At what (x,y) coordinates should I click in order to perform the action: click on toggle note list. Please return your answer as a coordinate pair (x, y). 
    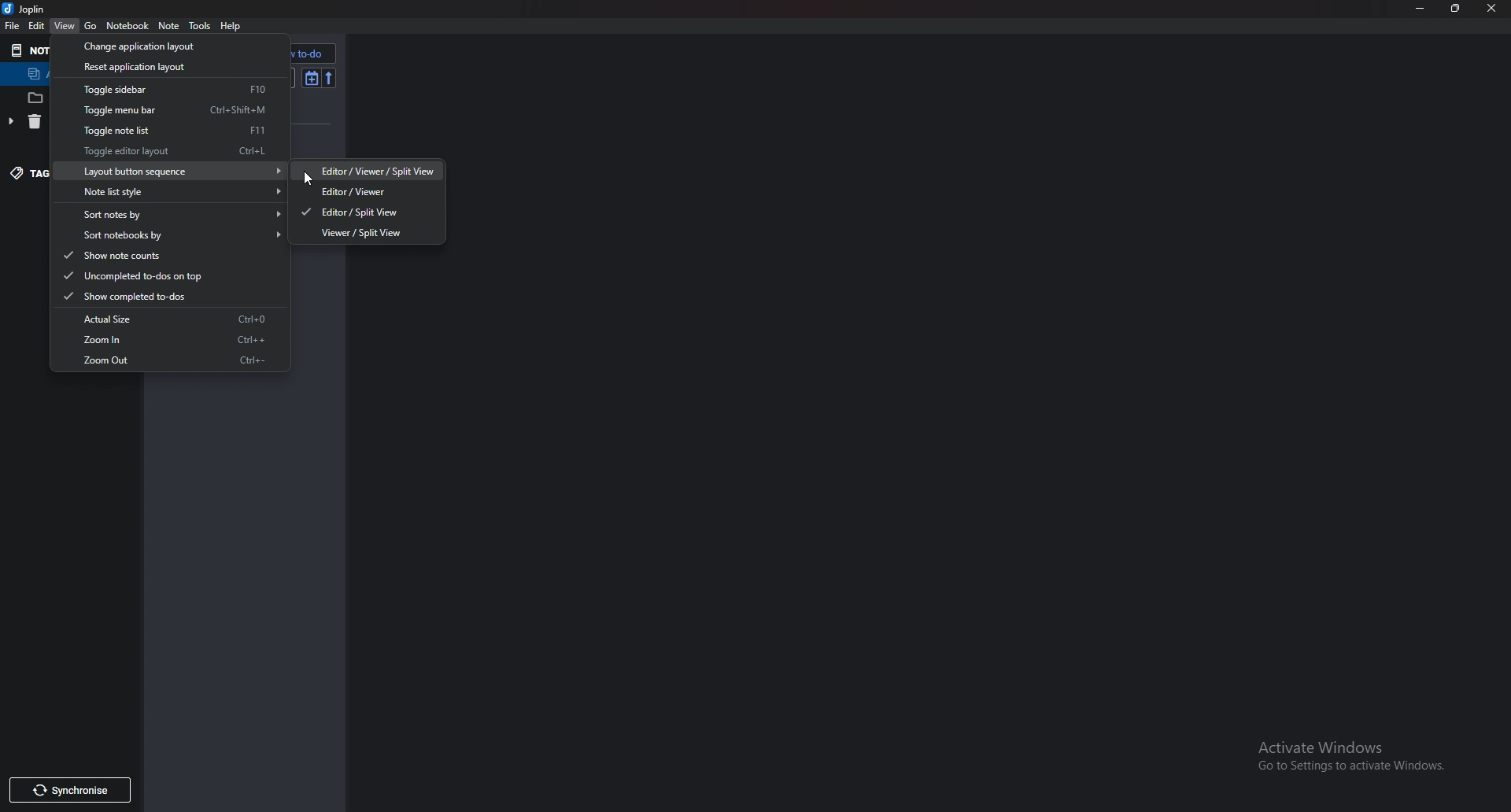
    Looking at the image, I should click on (168, 131).